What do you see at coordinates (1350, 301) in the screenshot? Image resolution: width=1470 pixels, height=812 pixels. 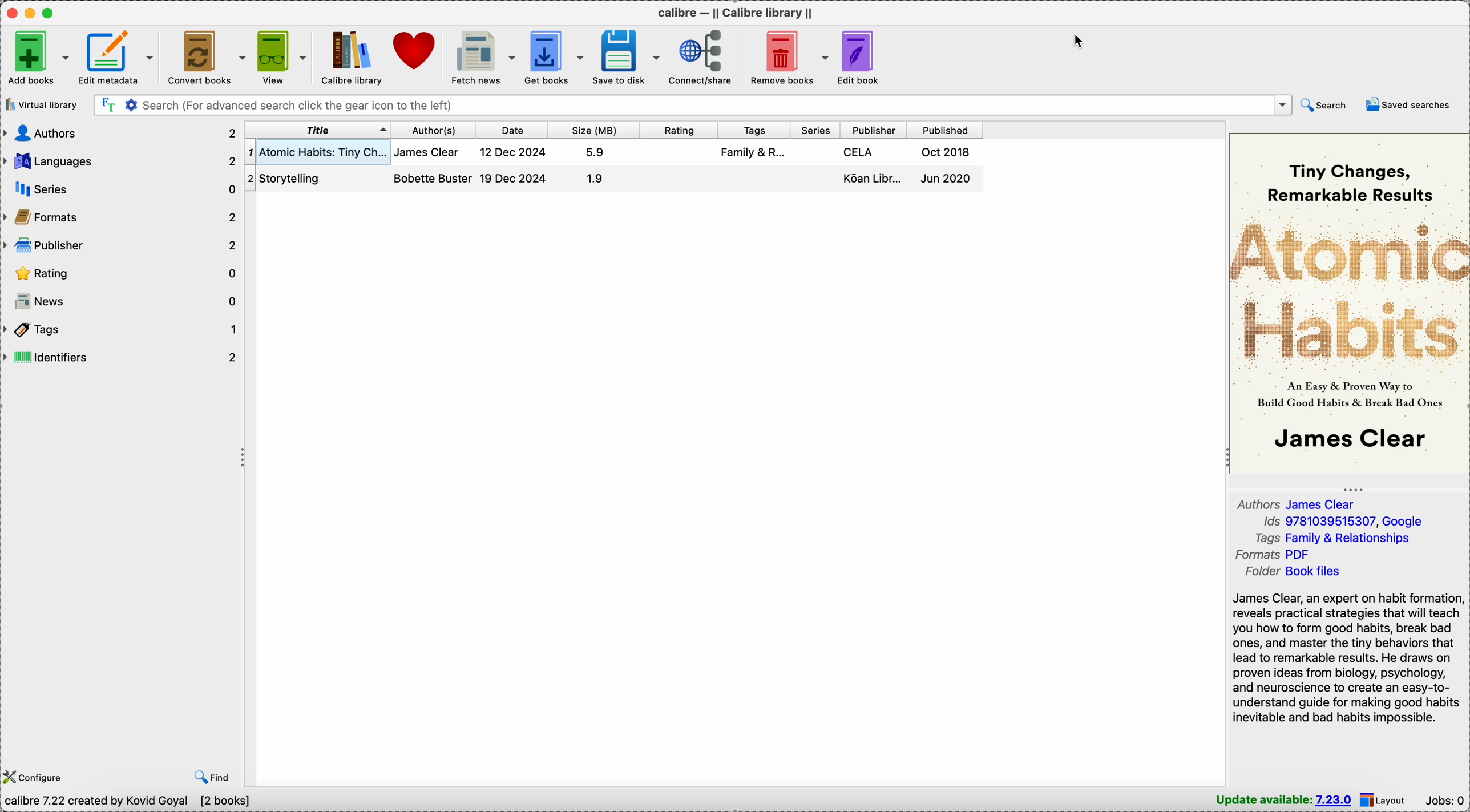 I see `book cover preview` at bounding box center [1350, 301].